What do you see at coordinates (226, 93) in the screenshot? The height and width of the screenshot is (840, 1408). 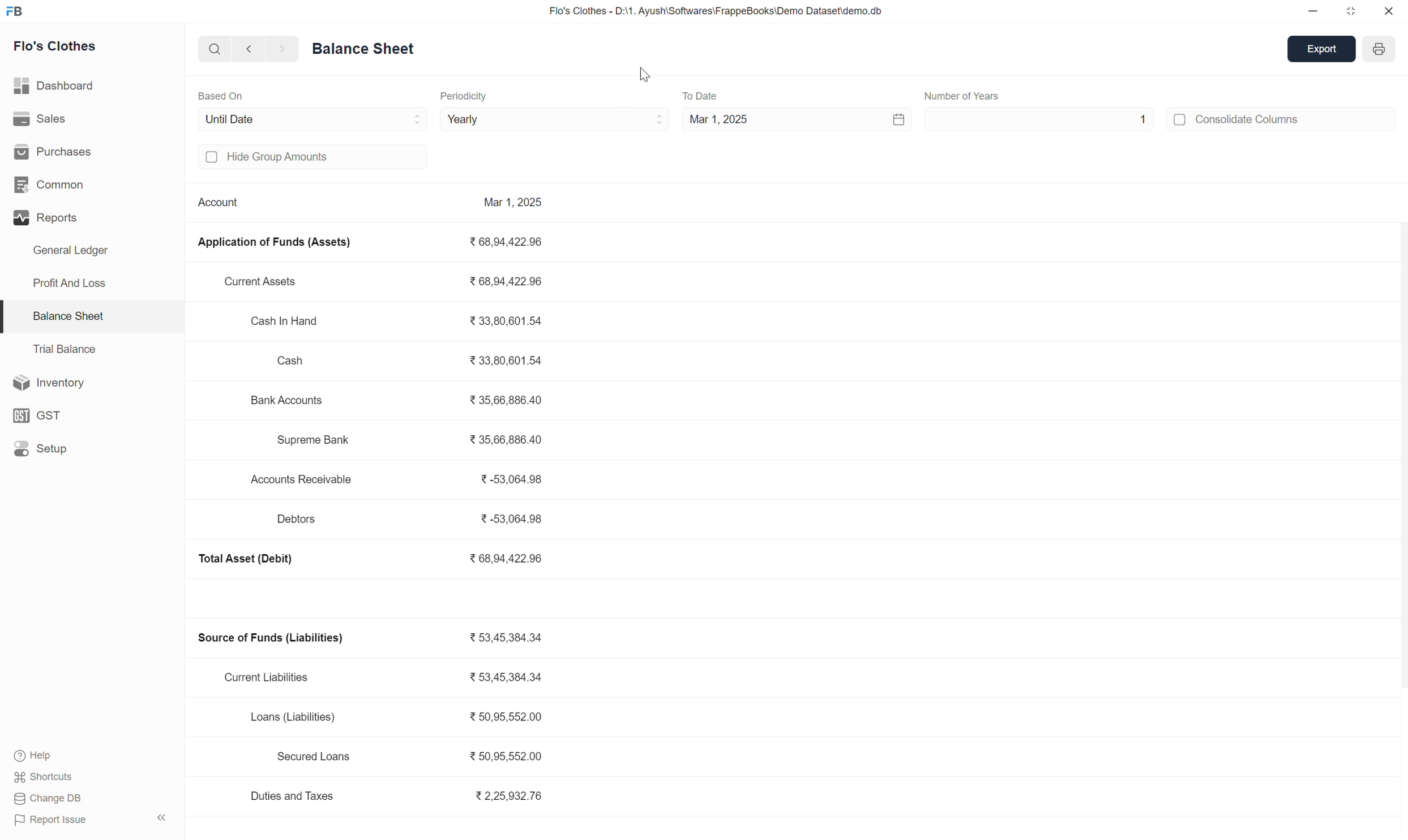 I see `Based On` at bounding box center [226, 93].